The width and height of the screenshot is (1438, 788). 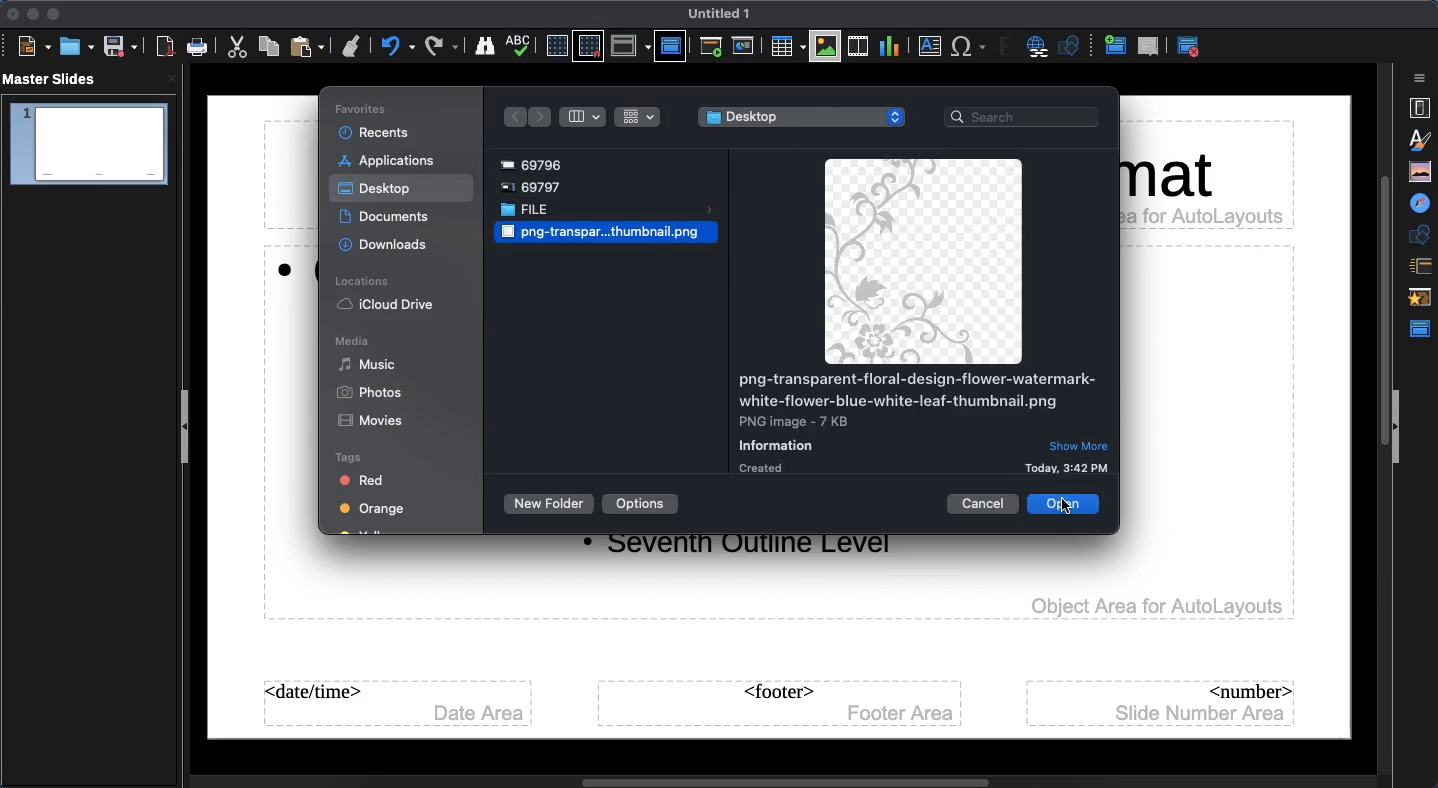 I want to click on Options, so click(x=640, y=504).